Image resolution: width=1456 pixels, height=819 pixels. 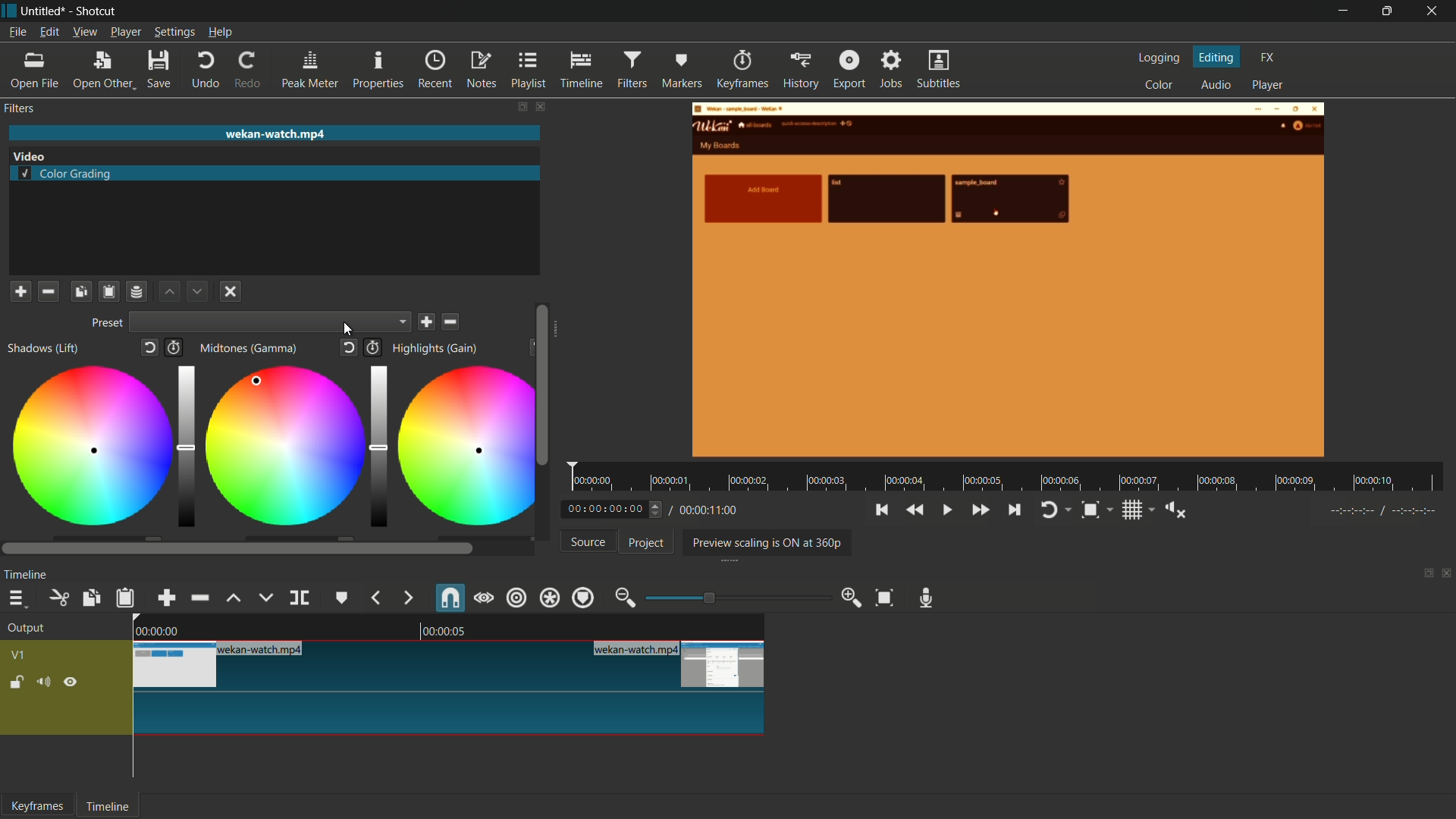 I want to click on paste filters, so click(x=108, y=293).